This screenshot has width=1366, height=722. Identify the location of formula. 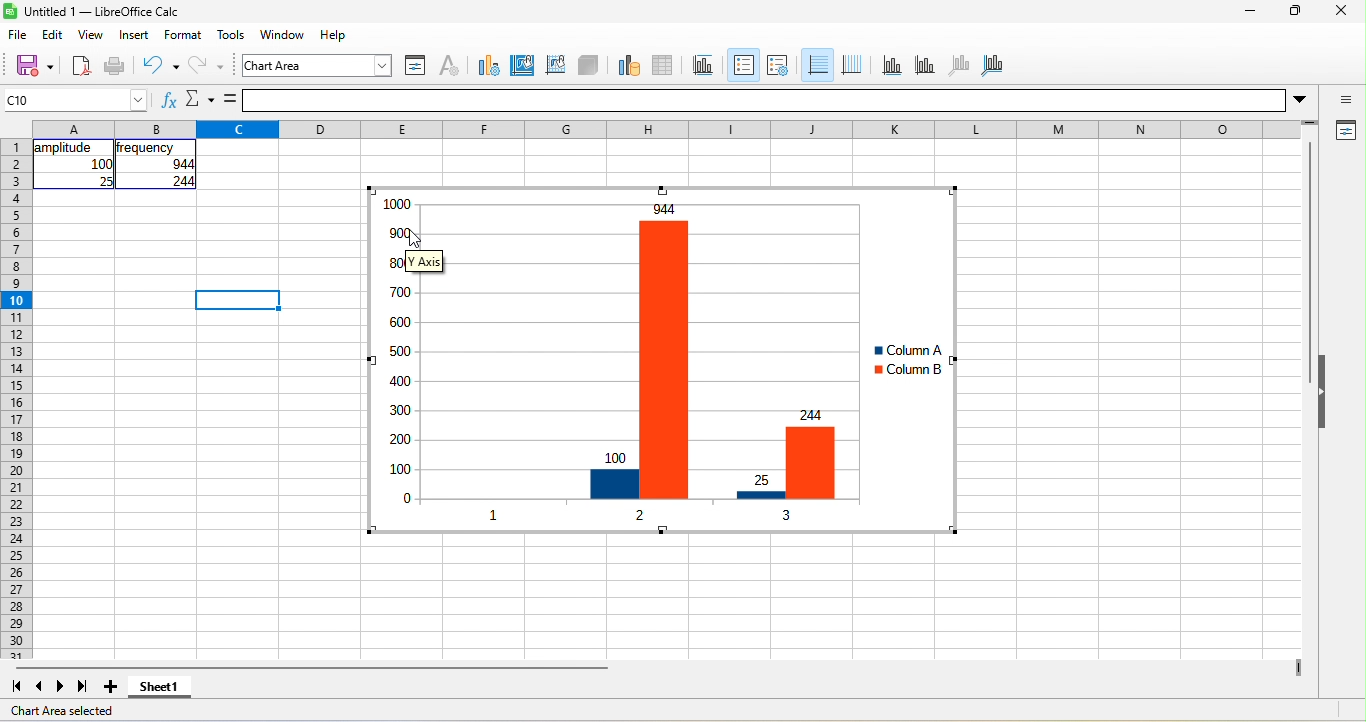
(231, 100).